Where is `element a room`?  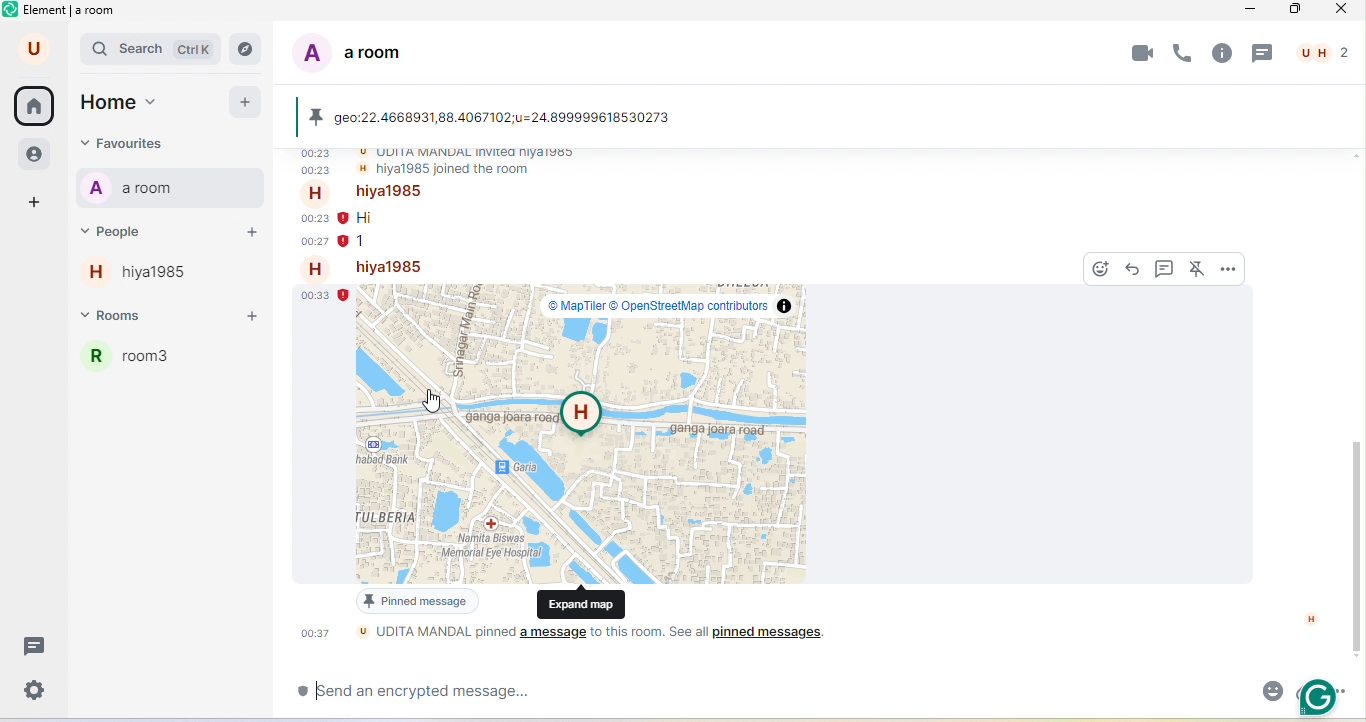 element a room is located at coordinates (70, 13).